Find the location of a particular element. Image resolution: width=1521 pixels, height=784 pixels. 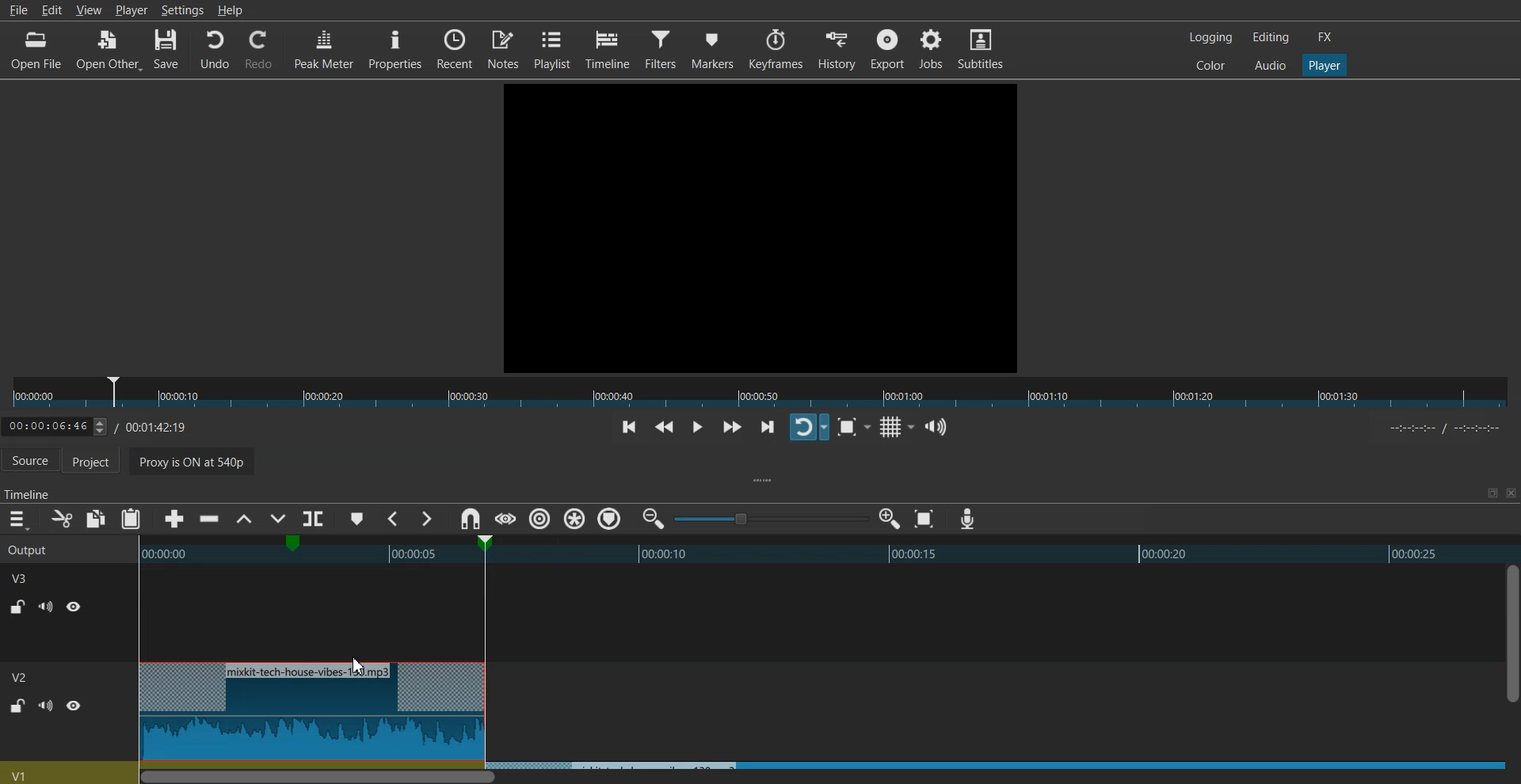

File is located at coordinates (17, 10).